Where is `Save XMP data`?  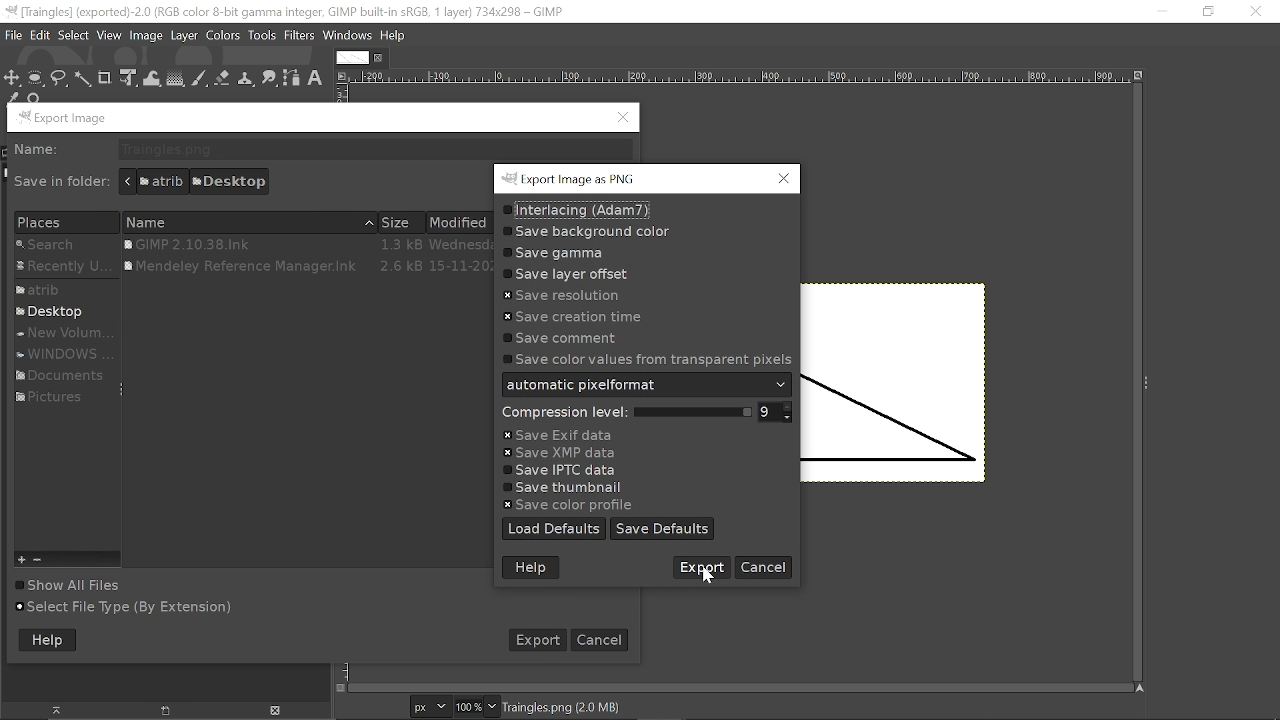 Save XMP data is located at coordinates (562, 454).